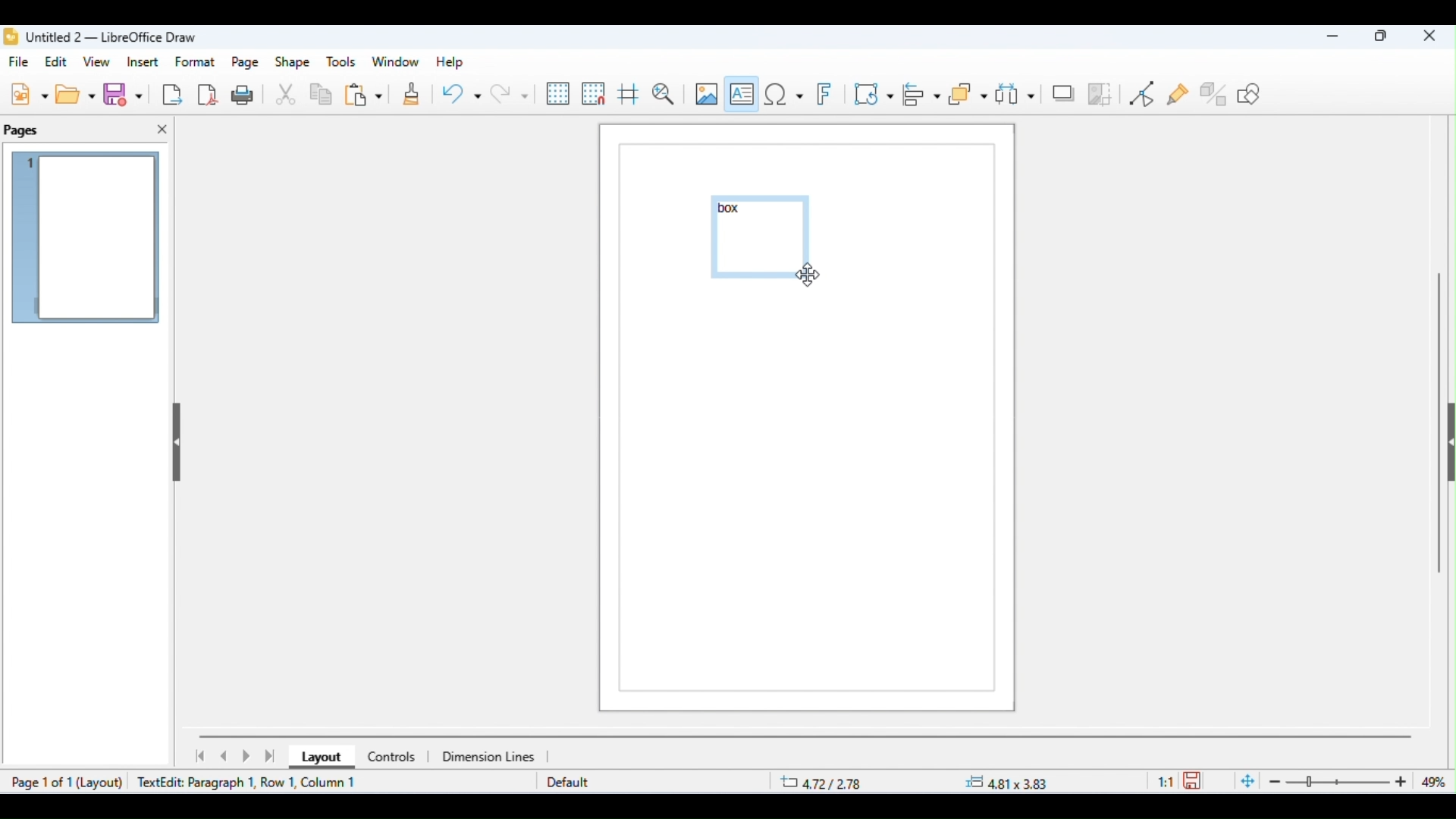 This screenshot has height=819, width=1456. What do you see at coordinates (23, 131) in the screenshot?
I see `pages` at bounding box center [23, 131].